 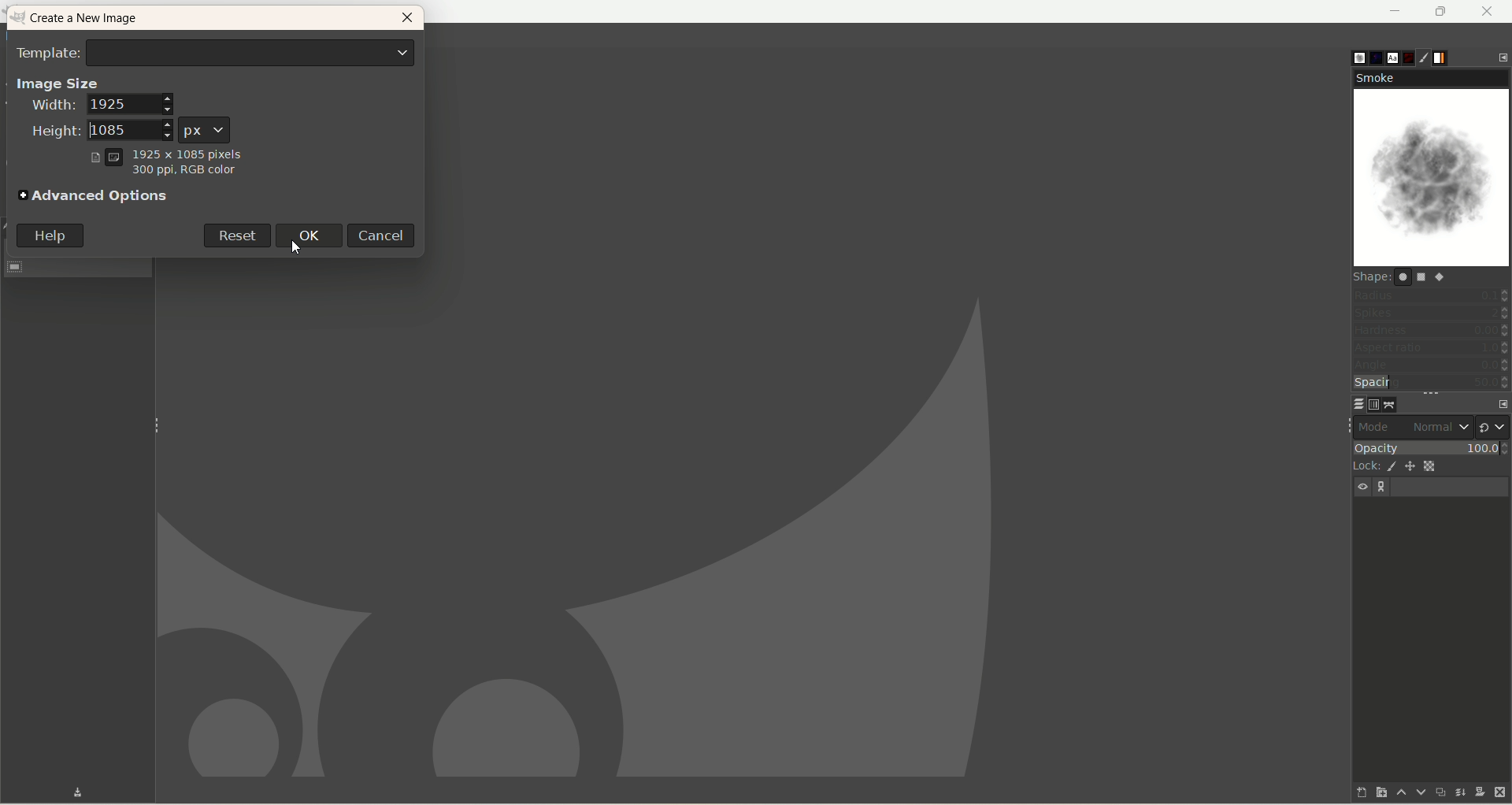 I want to click on aspect ratio, so click(x=1432, y=348).